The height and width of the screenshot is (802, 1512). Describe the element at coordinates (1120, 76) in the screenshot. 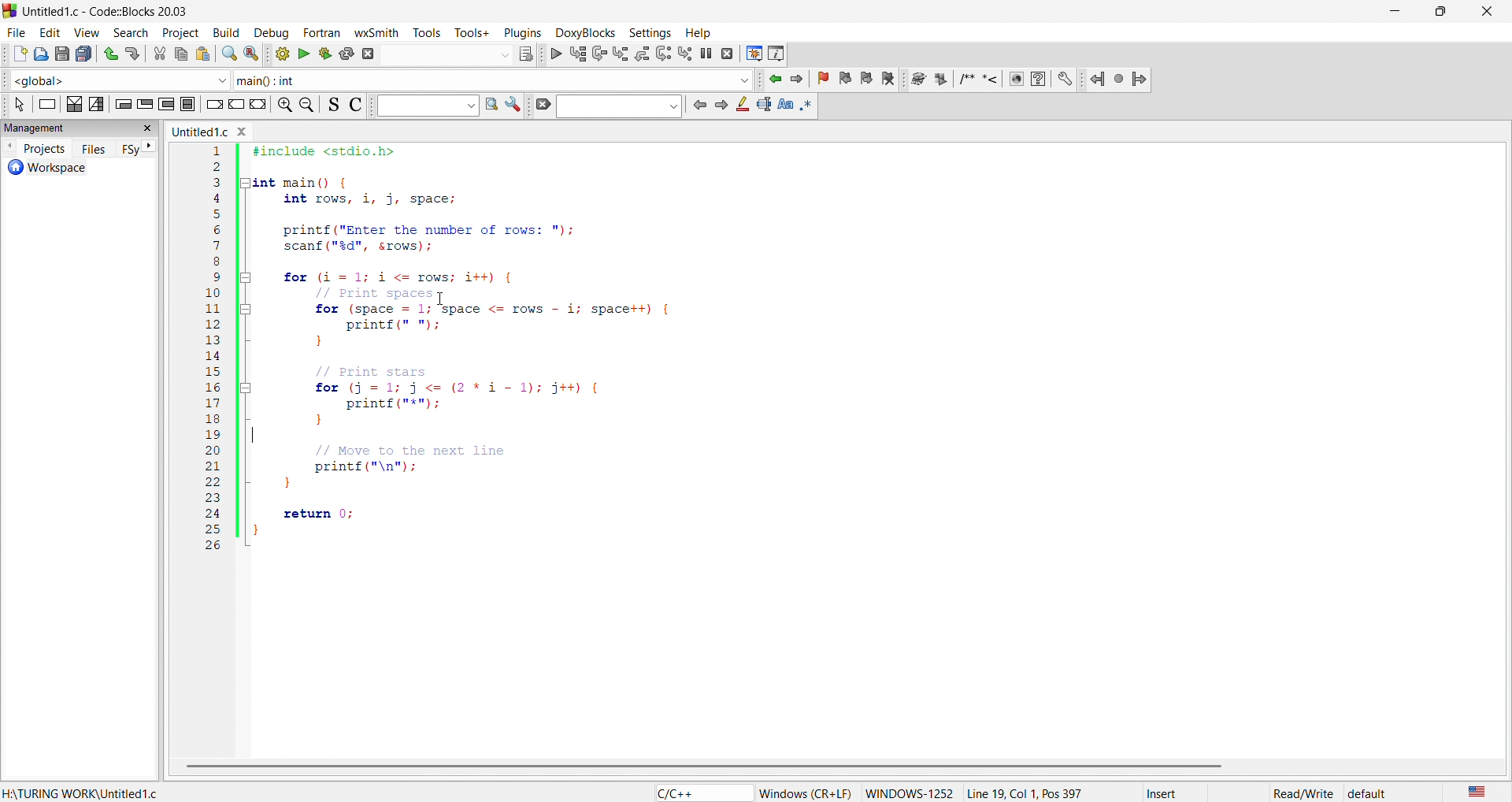

I see `stop` at that location.